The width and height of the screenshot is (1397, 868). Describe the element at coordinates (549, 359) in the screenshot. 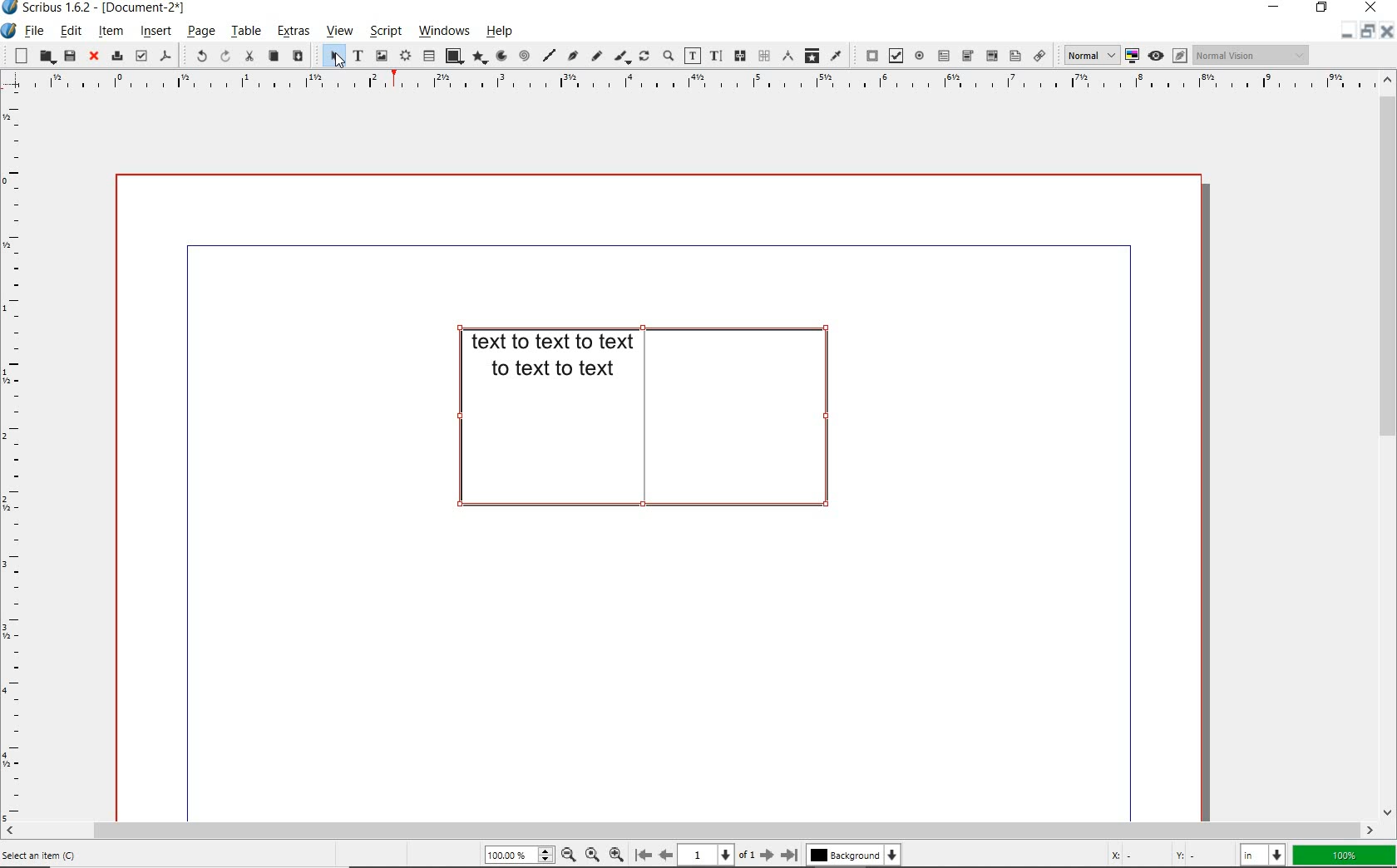

I see `TEXT` at that location.